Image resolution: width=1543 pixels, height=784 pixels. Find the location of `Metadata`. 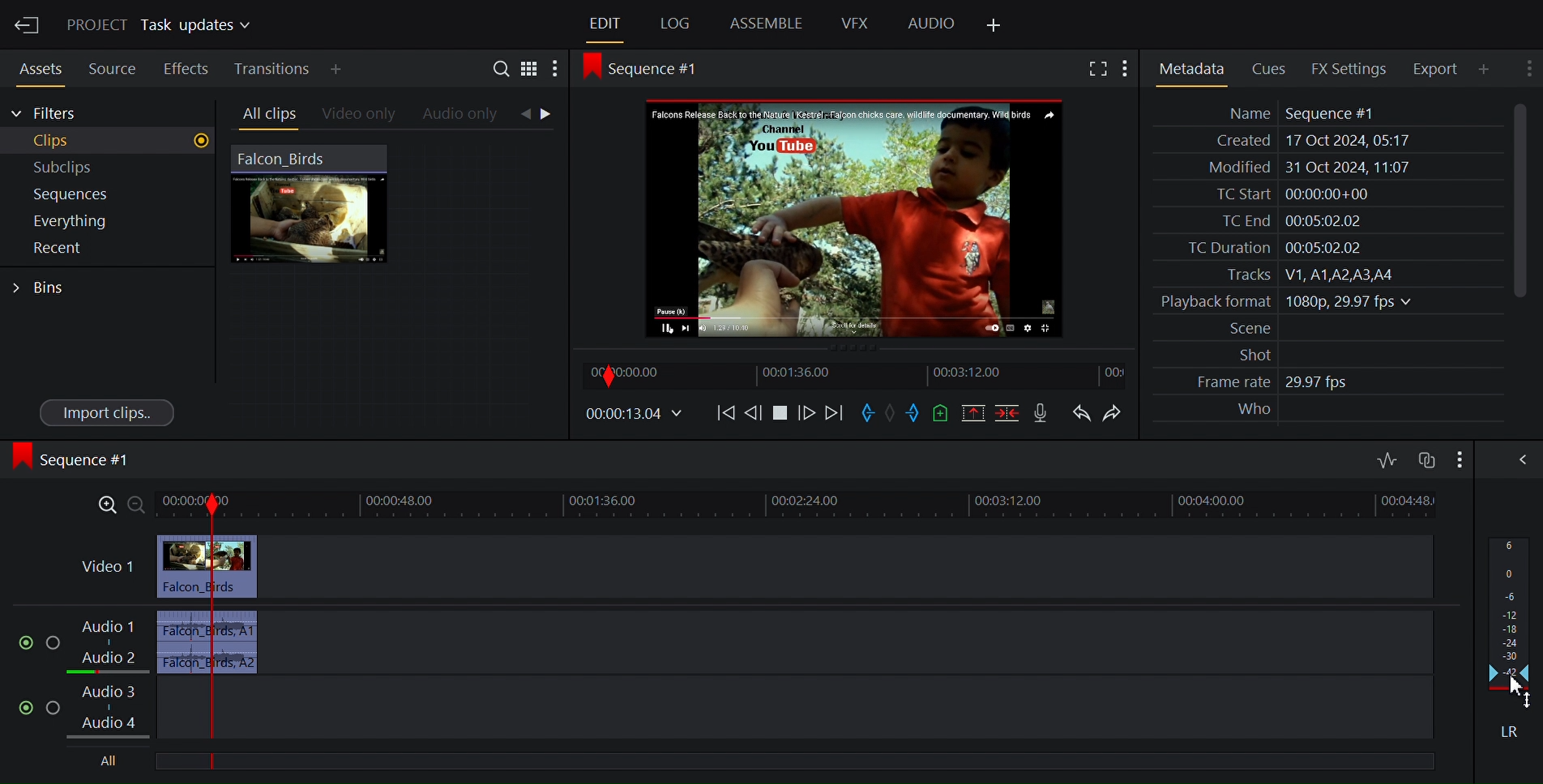

Metadata is located at coordinates (1191, 66).